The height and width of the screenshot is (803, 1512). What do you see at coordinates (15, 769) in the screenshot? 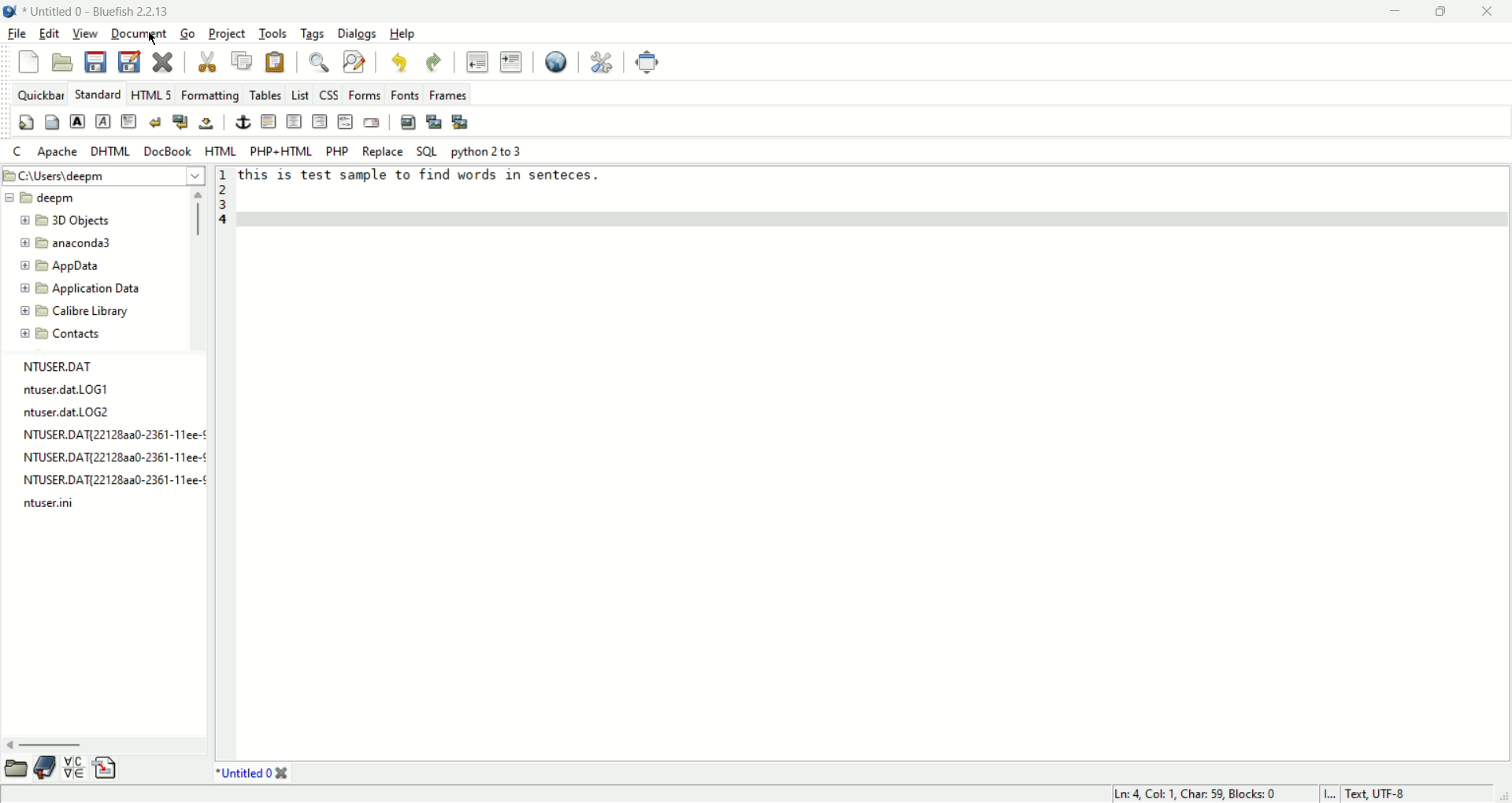
I see `file explorer` at bounding box center [15, 769].